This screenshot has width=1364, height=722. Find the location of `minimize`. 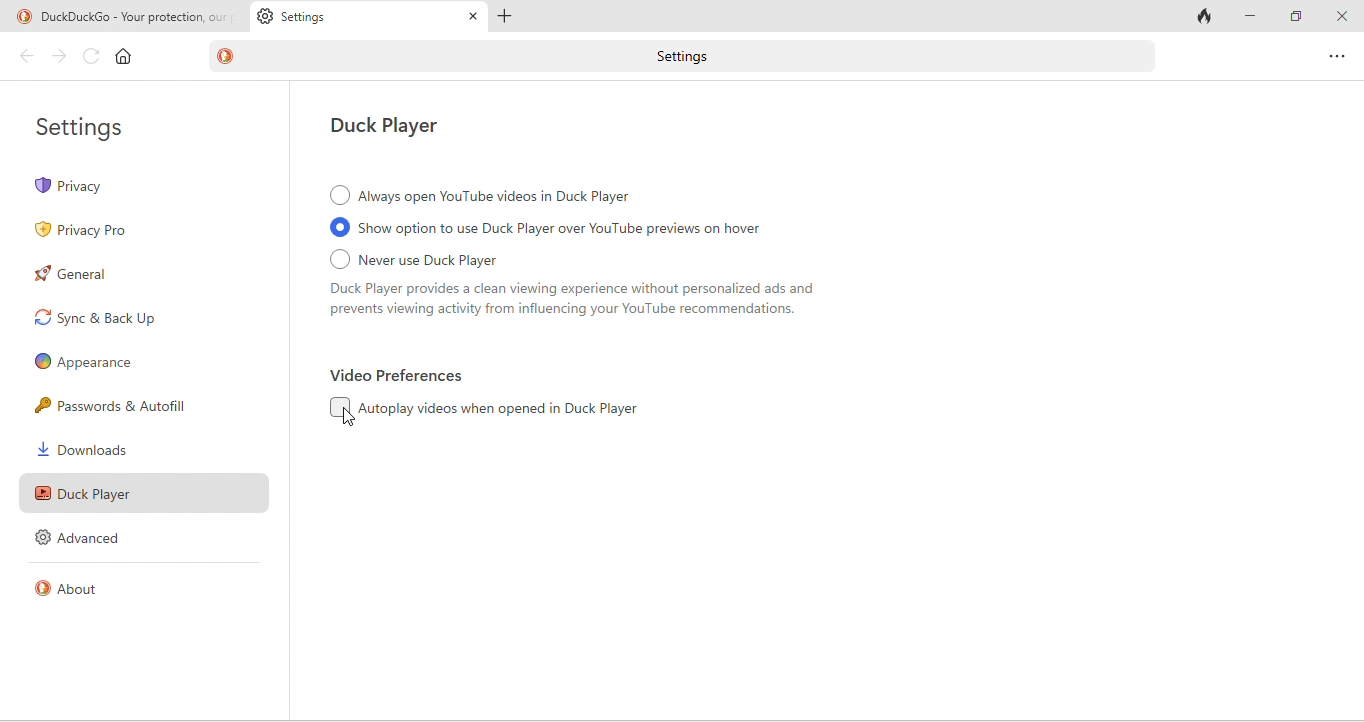

minimize is located at coordinates (1253, 17).